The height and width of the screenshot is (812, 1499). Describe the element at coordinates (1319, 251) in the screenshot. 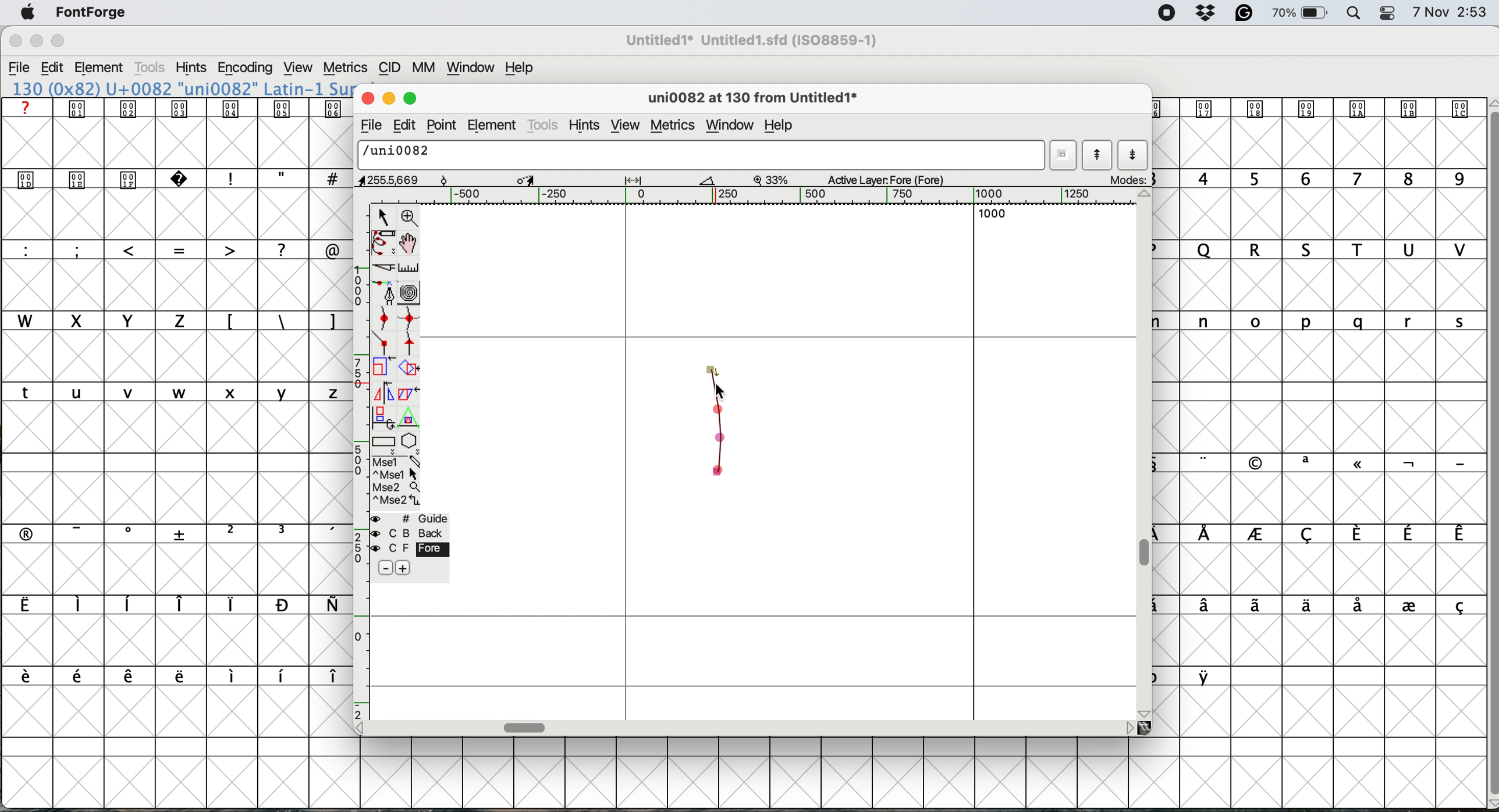

I see `uppercase letters` at that location.